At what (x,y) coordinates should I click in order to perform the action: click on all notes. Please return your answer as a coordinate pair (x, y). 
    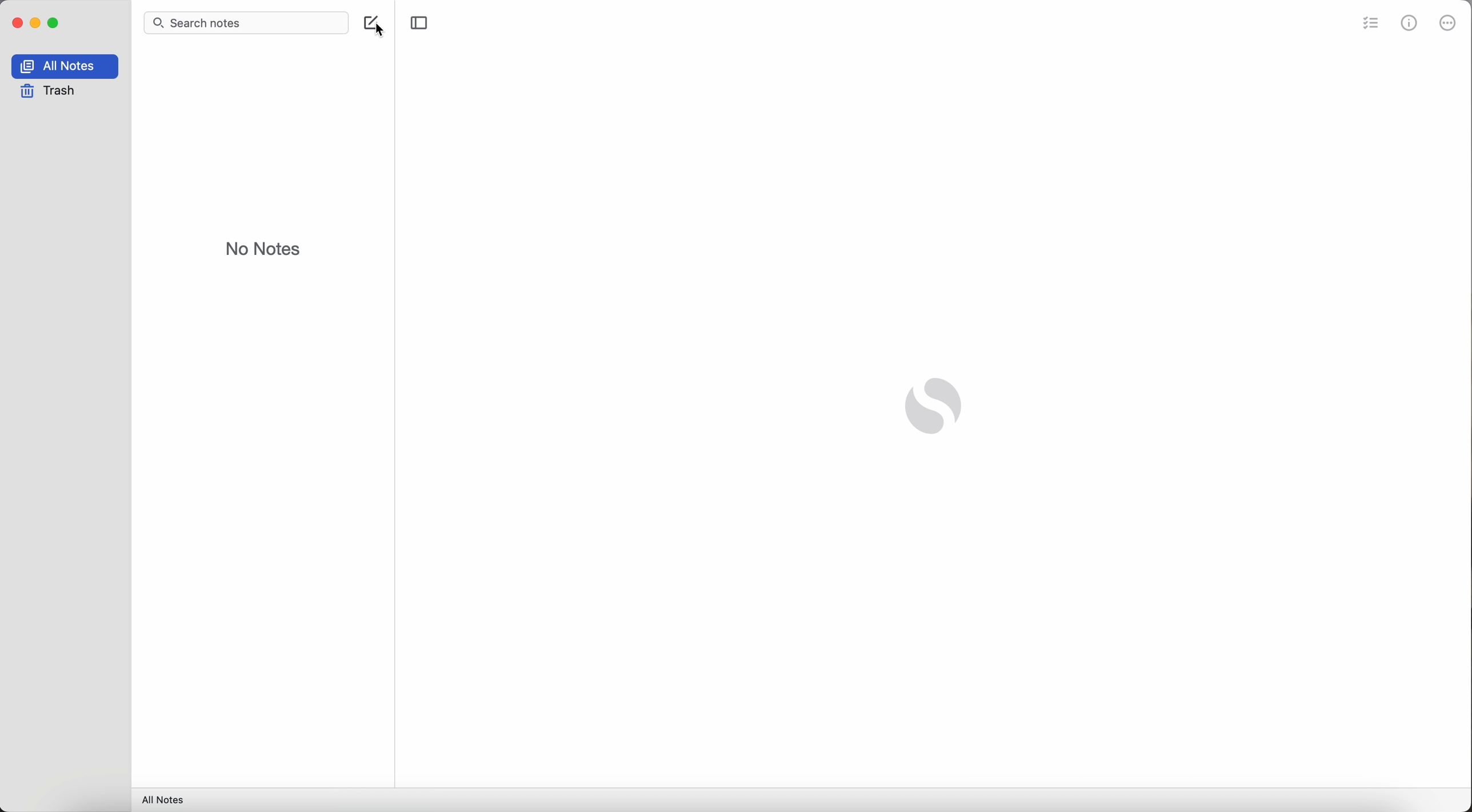
    Looking at the image, I should click on (165, 800).